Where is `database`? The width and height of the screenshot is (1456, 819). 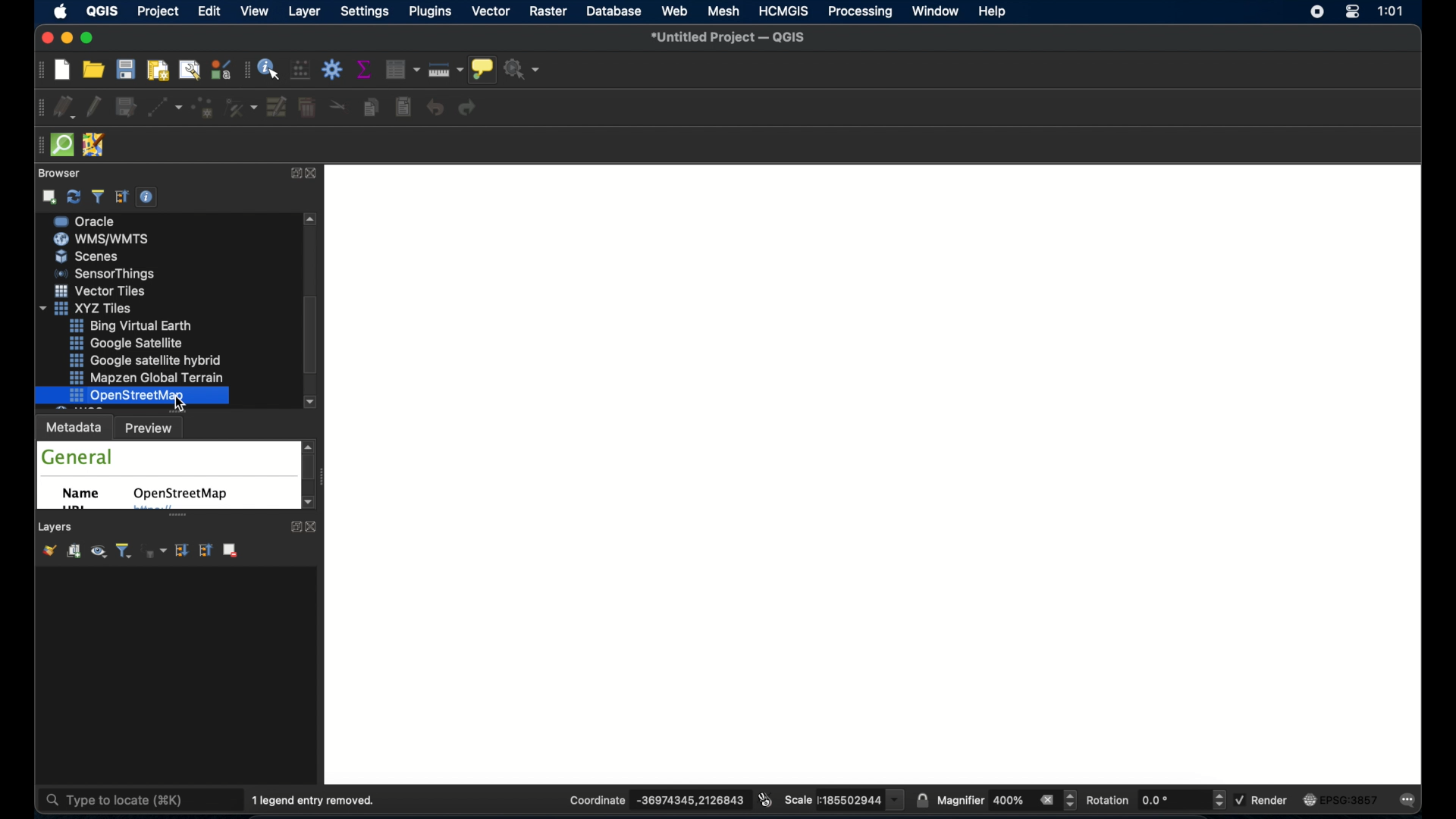 database is located at coordinates (616, 11).